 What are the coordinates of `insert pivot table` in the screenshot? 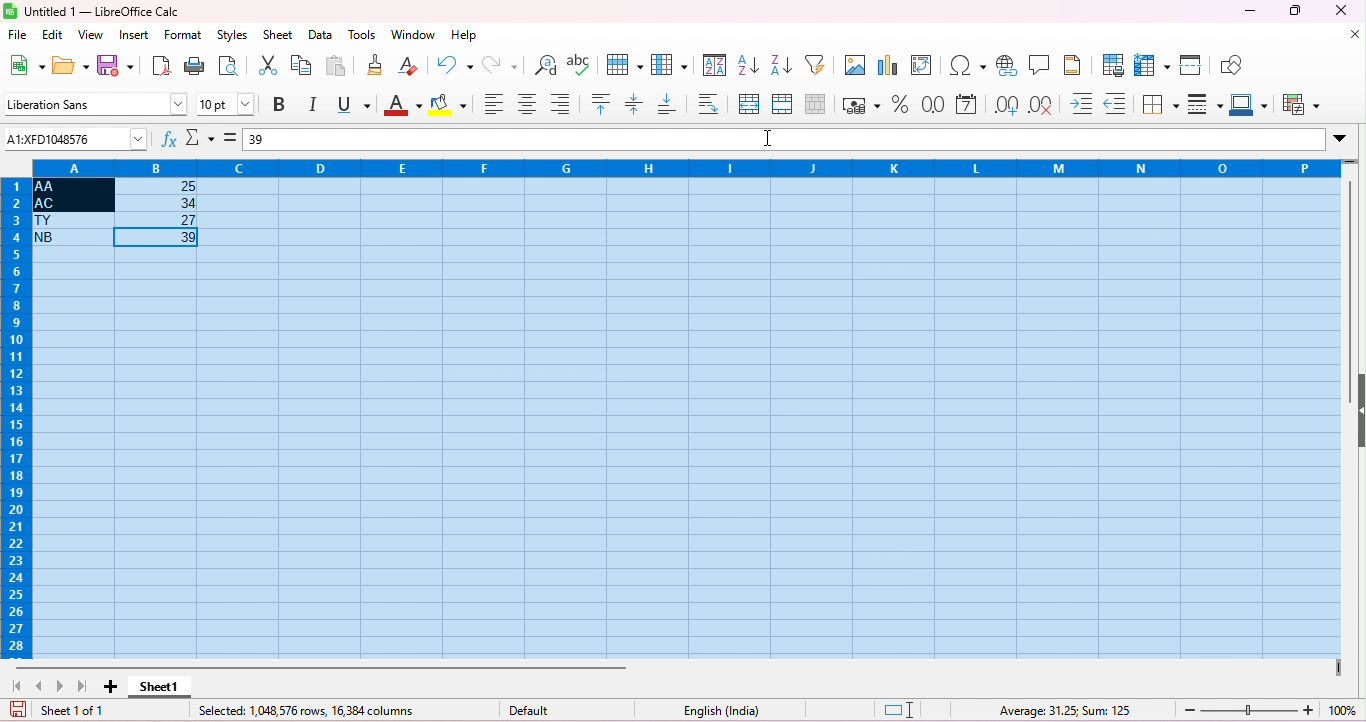 It's located at (925, 64).